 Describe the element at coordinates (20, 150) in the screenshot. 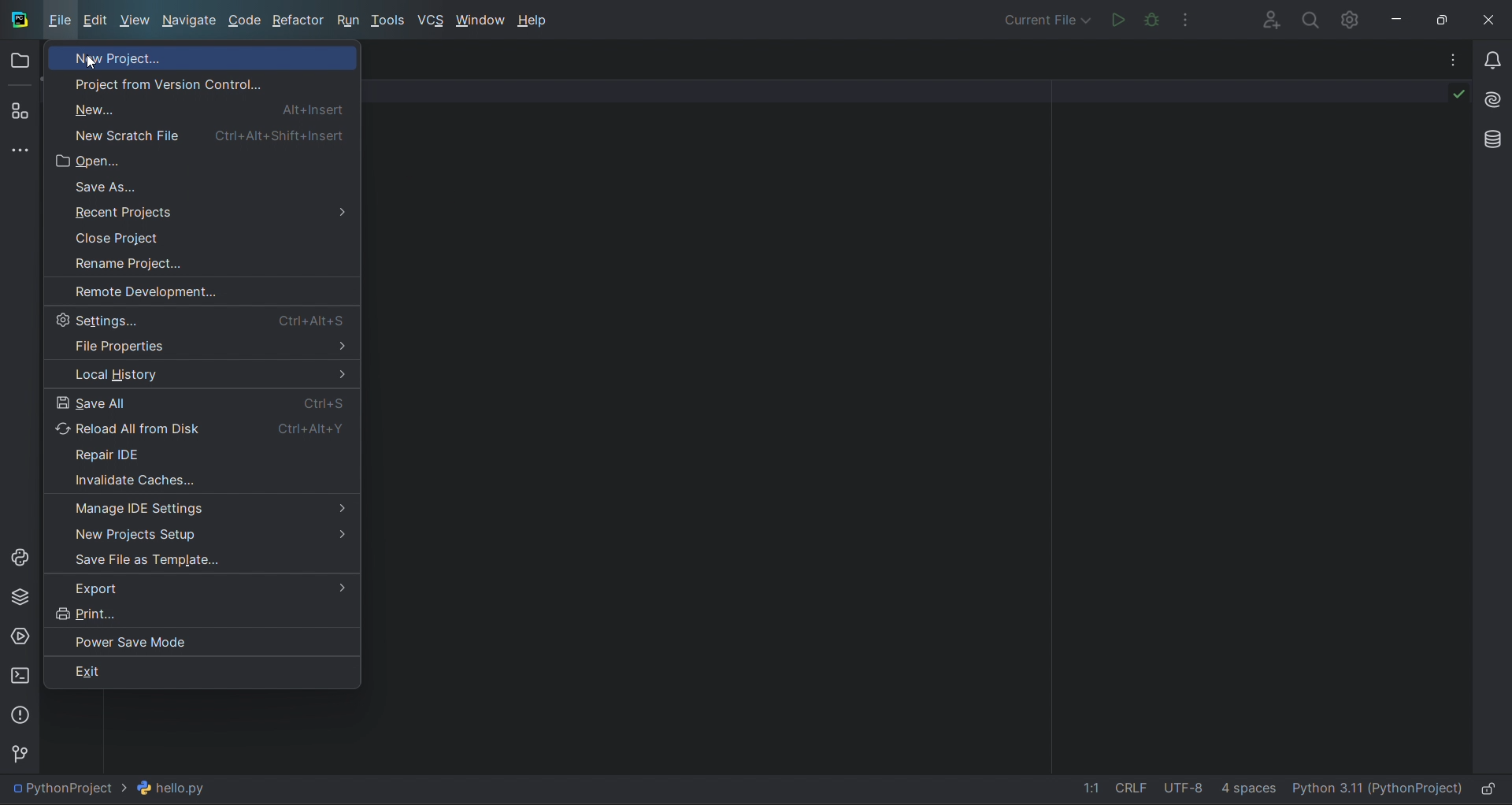

I see `more tool window` at that location.